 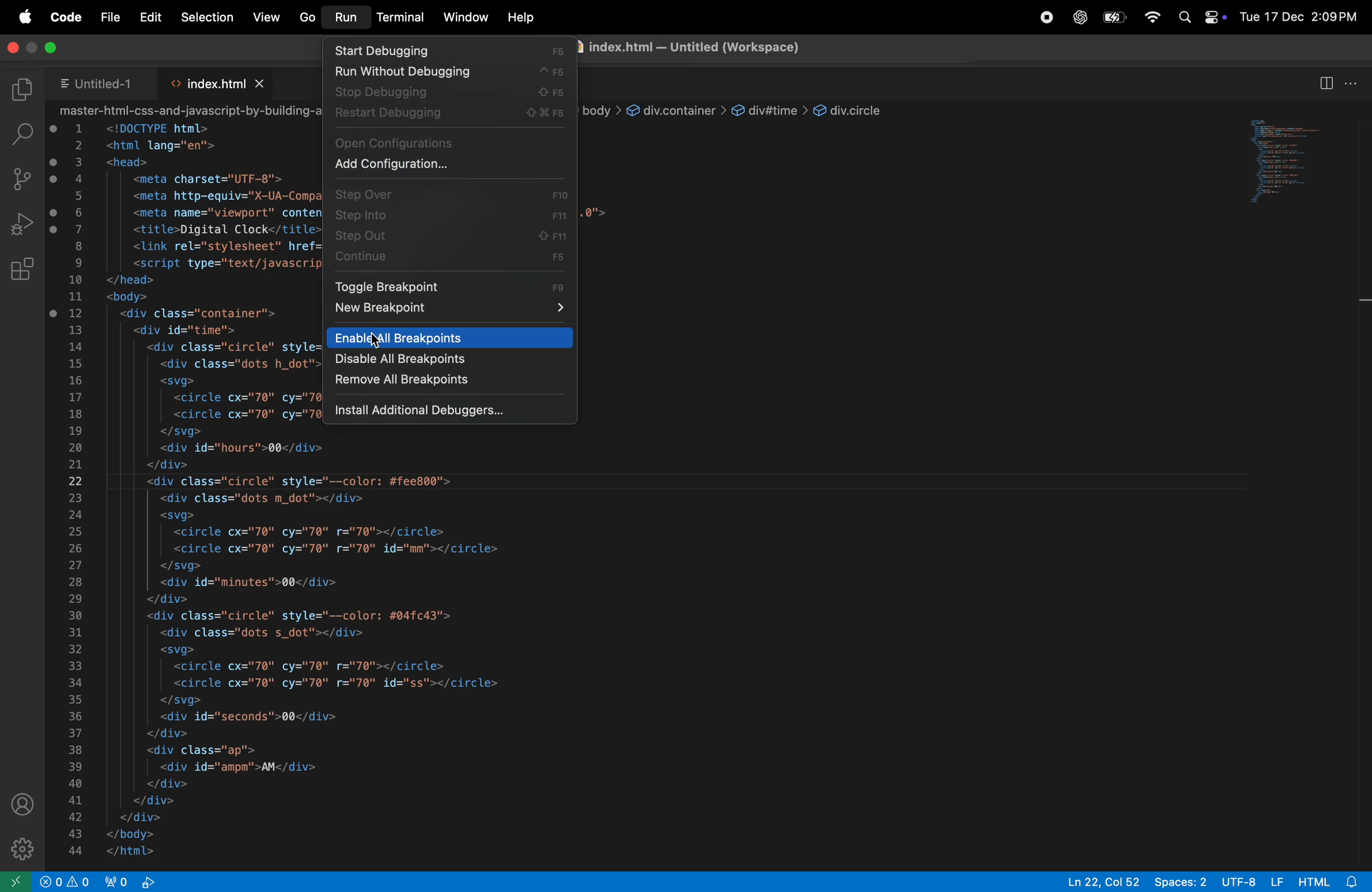 I want to click on install debbuggers, so click(x=446, y=410).